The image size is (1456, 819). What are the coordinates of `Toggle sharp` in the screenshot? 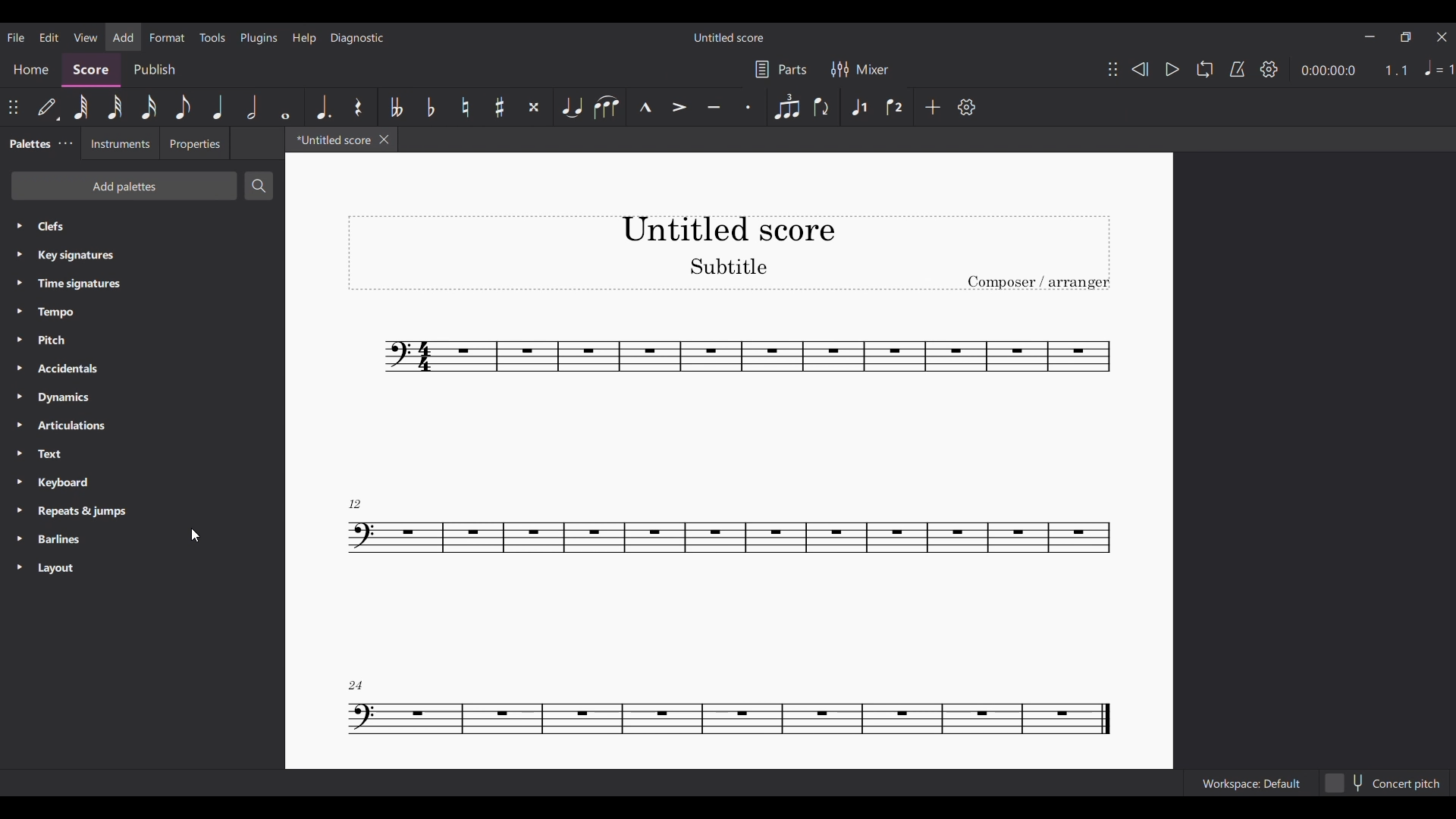 It's located at (610, 108).